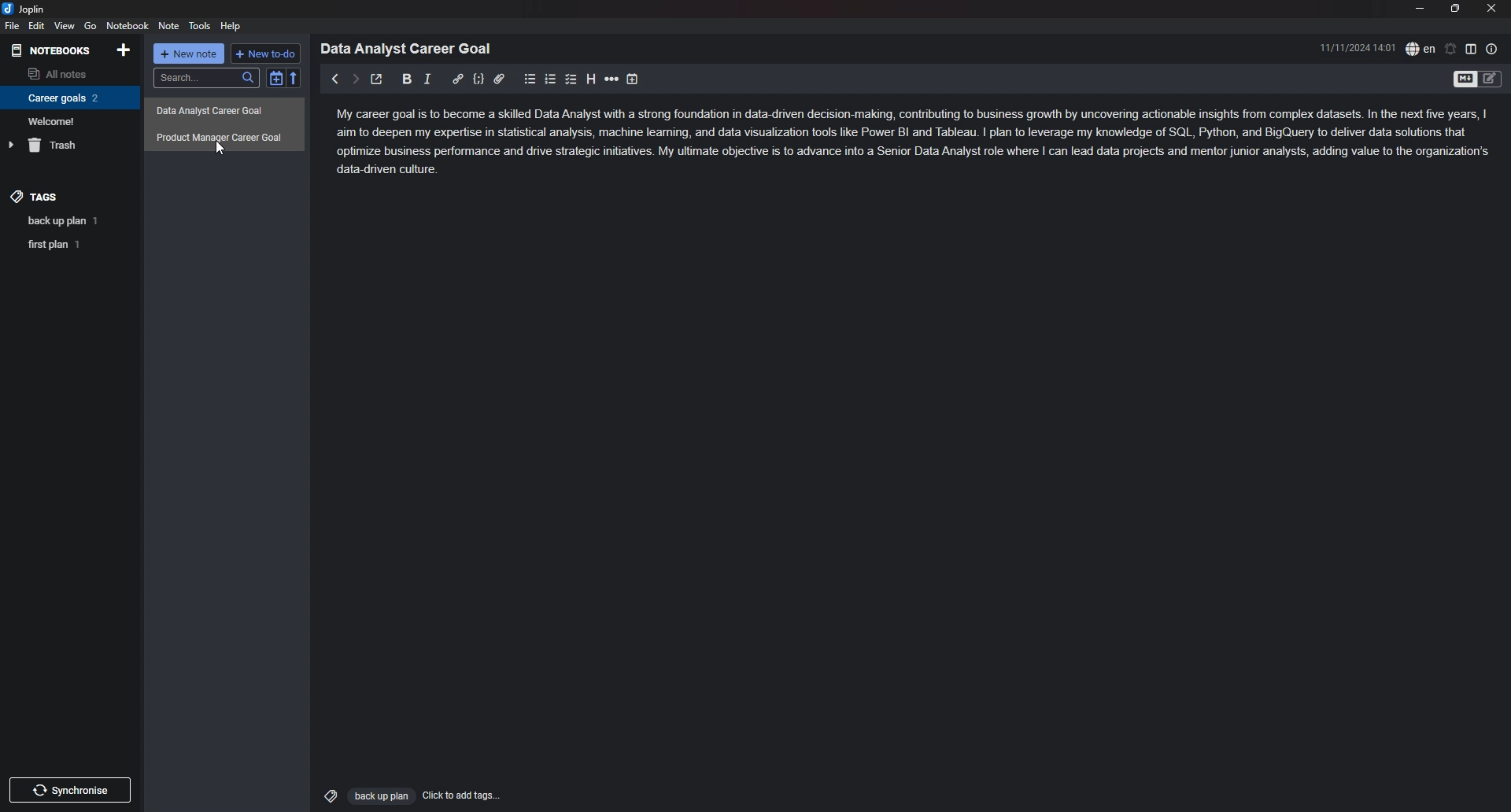  I want to click on notebooks, so click(53, 51).